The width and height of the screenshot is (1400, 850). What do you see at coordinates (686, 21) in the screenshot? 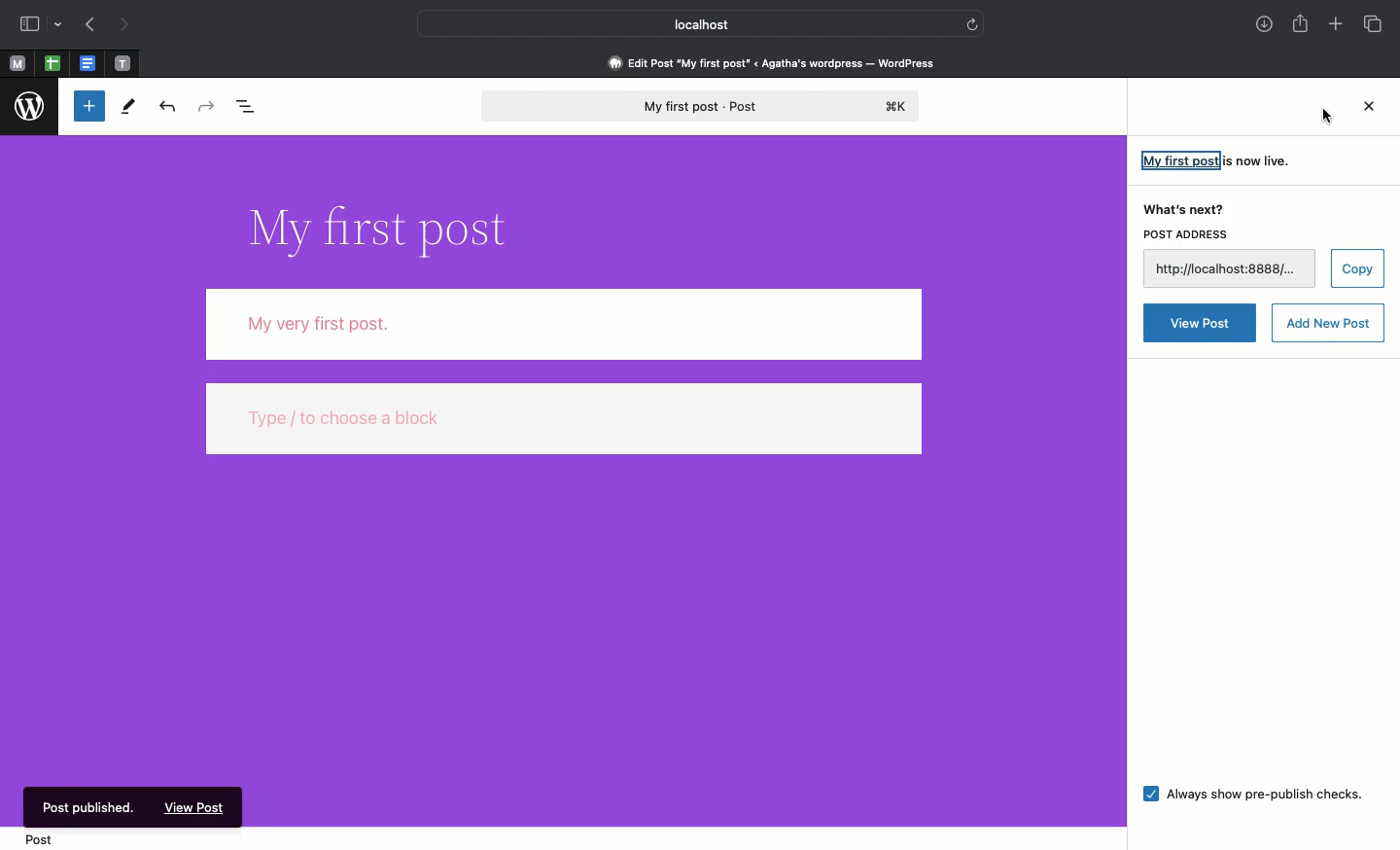
I see `Local host` at bounding box center [686, 21].